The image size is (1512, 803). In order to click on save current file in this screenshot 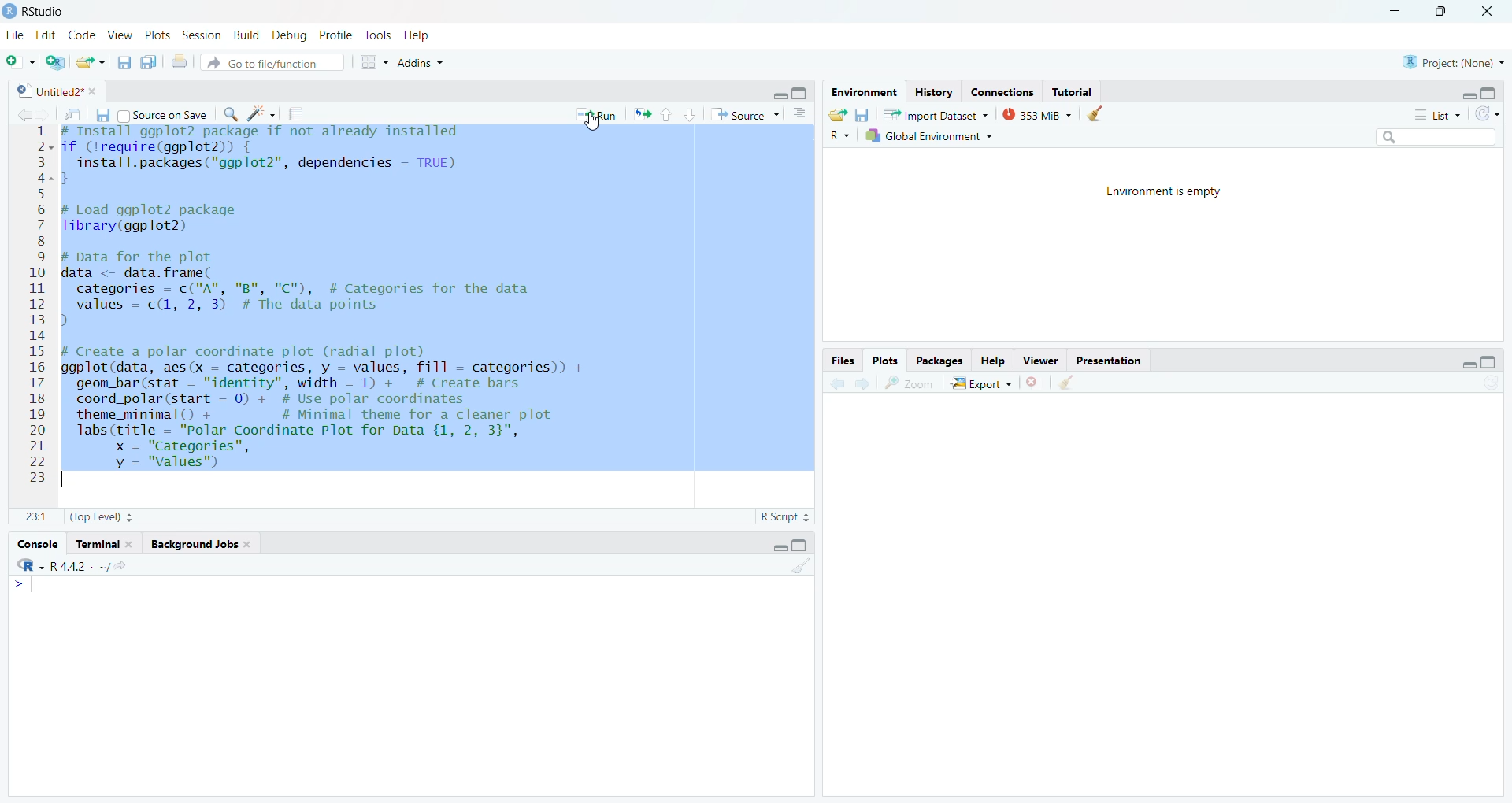, I will do `click(102, 115)`.